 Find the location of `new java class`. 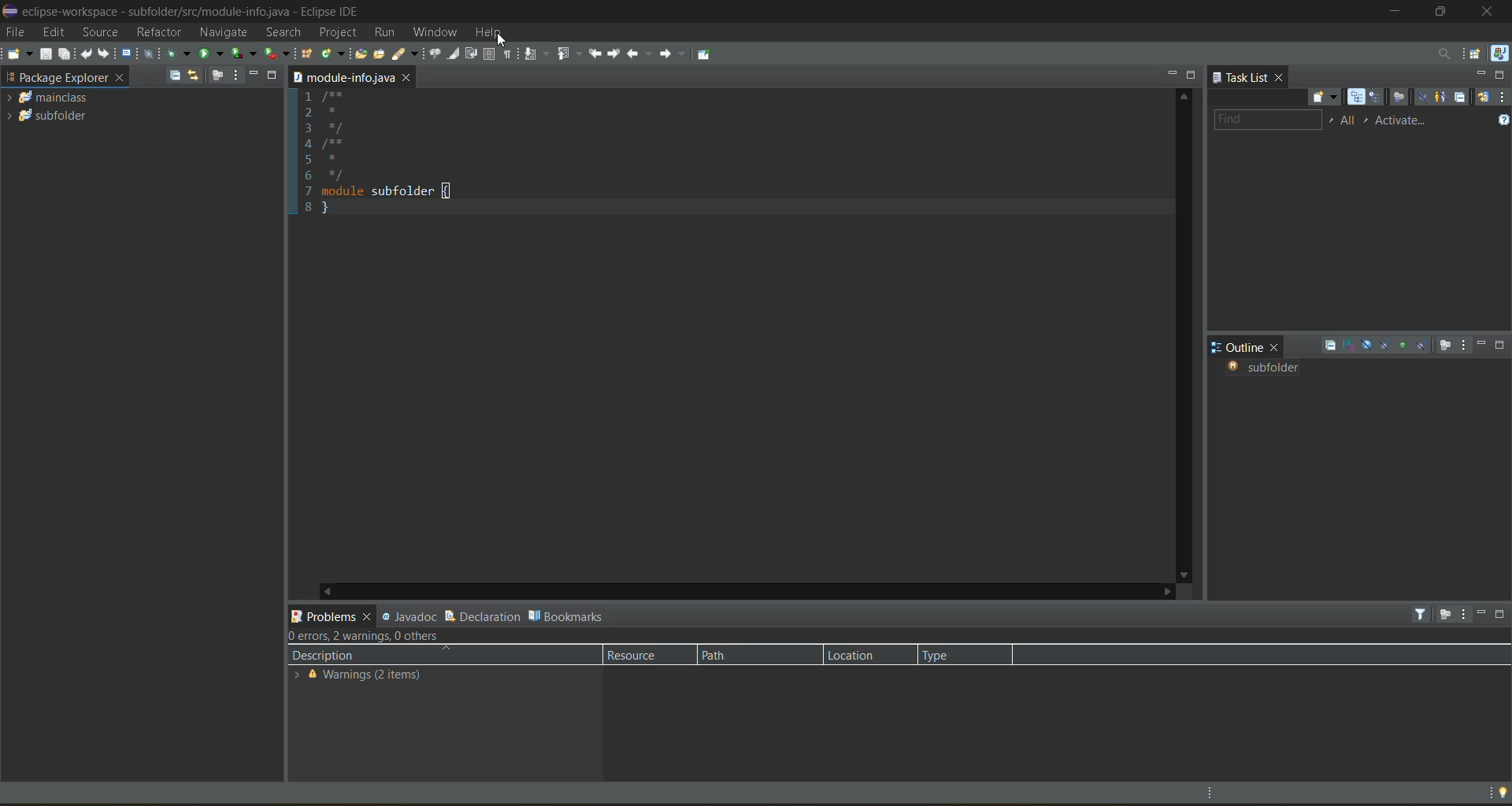

new java class is located at coordinates (335, 54).